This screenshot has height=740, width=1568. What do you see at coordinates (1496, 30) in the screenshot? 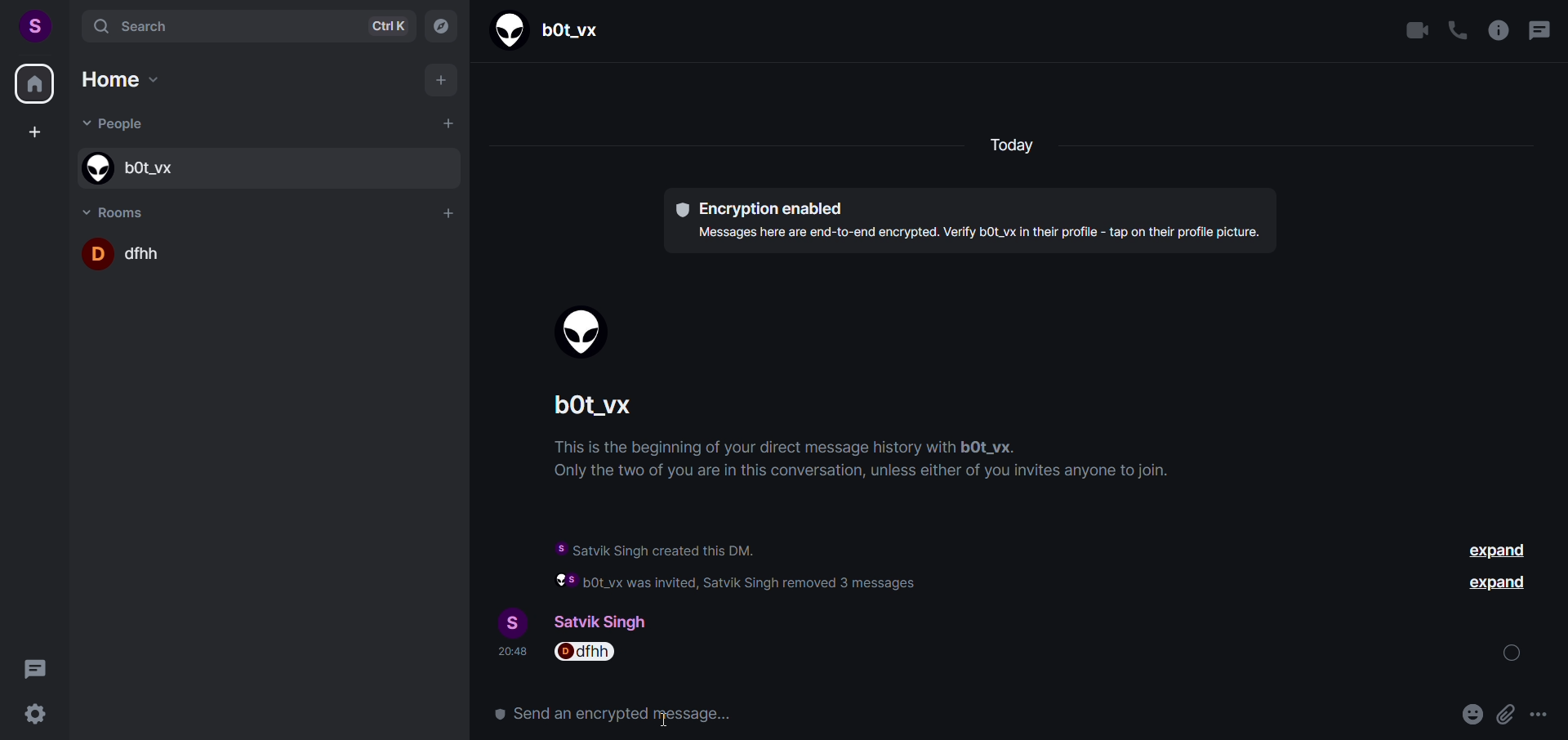
I see `room info` at bounding box center [1496, 30].